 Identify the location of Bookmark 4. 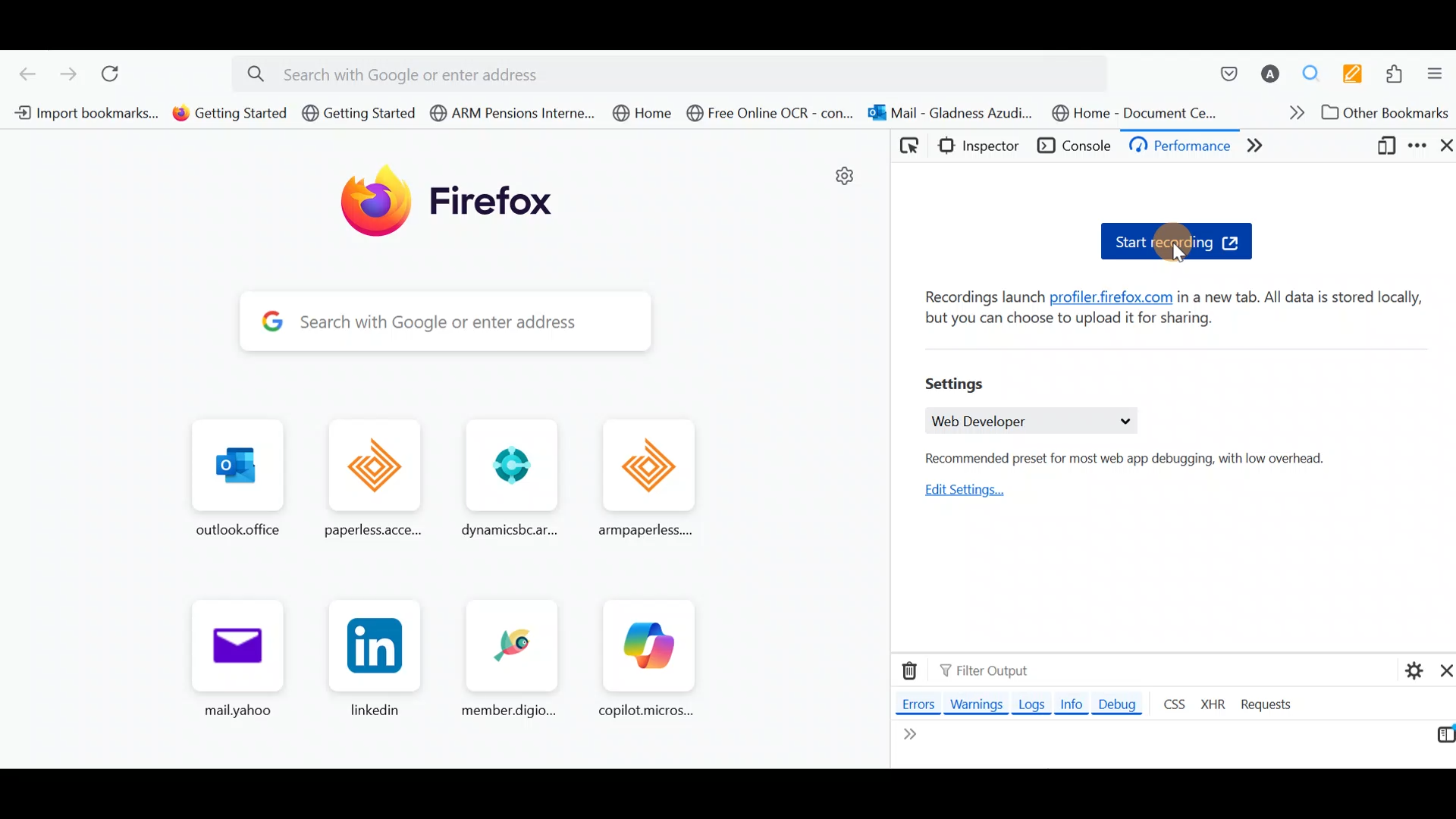
(512, 113).